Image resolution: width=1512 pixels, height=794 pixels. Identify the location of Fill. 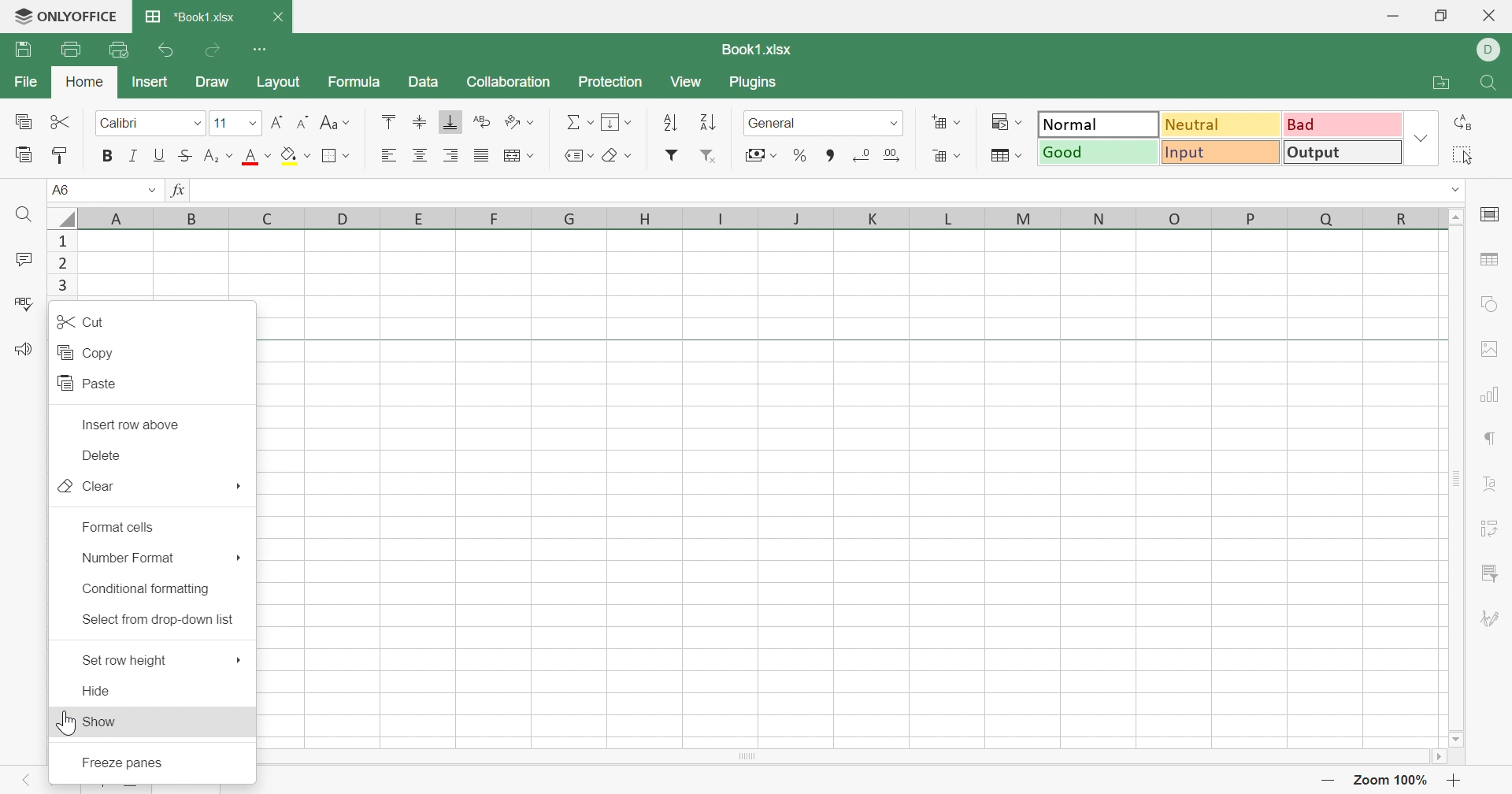
(615, 120).